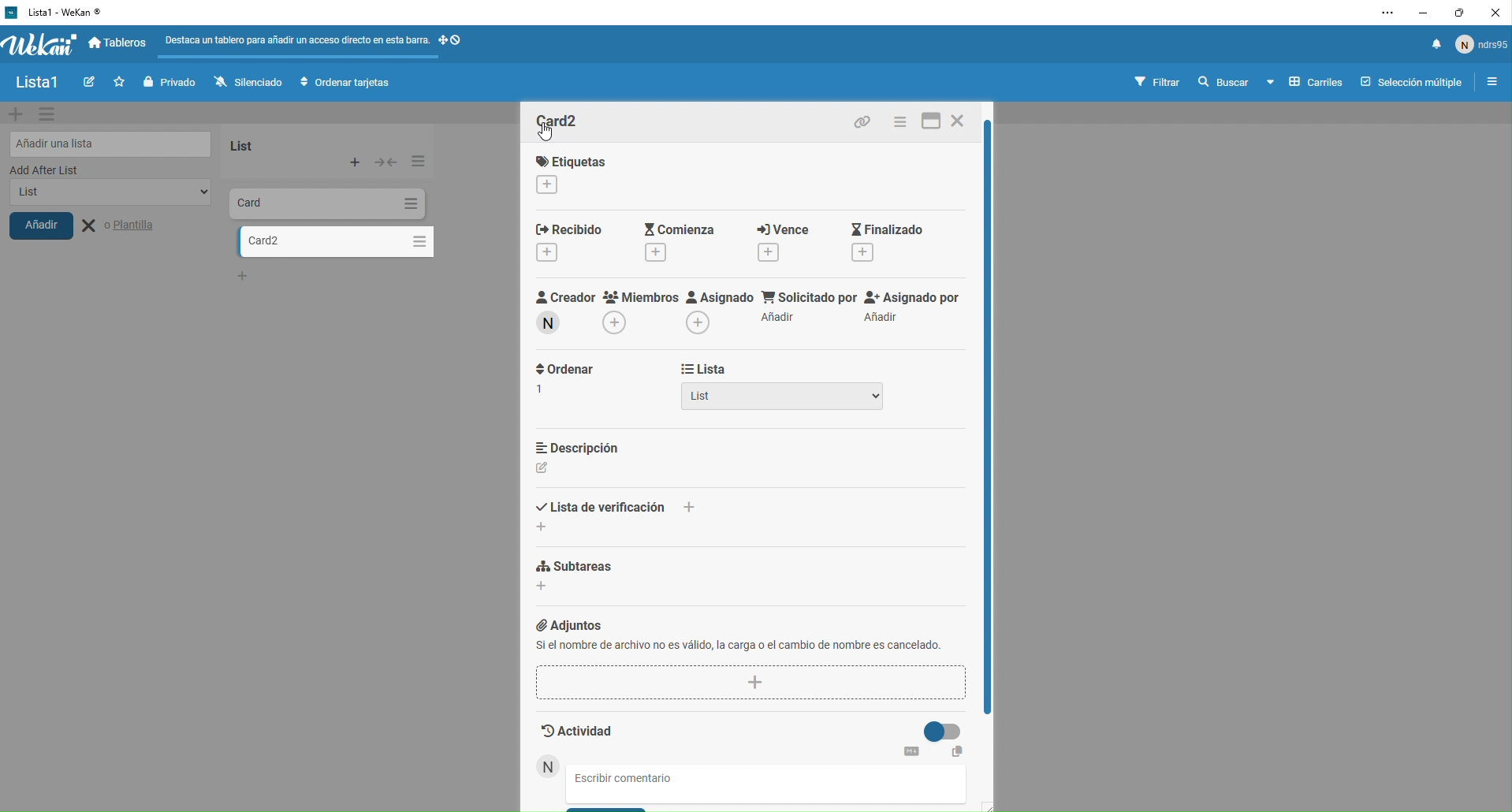  Describe the element at coordinates (415, 239) in the screenshot. I see `Options` at that location.